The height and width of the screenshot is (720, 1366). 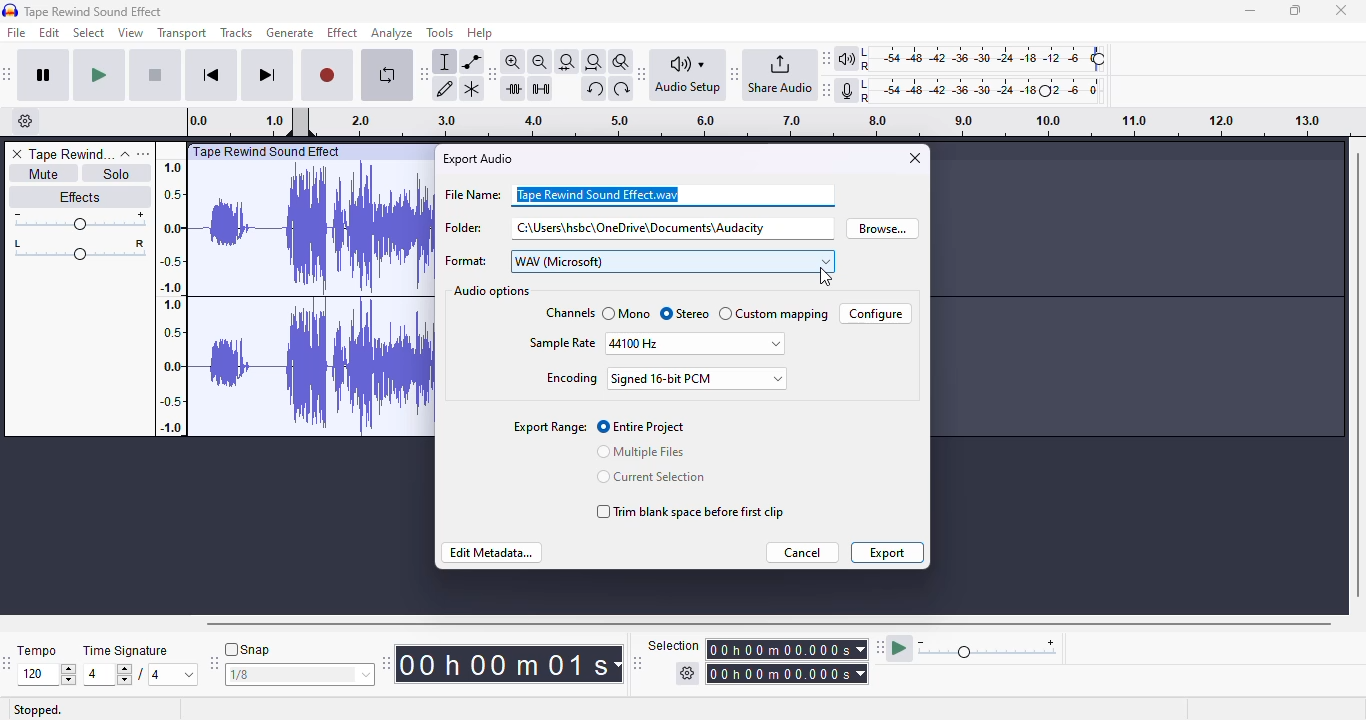 What do you see at coordinates (567, 61) in the screenshot?
I see `fit selection to width` at bounding box center [567, 61].